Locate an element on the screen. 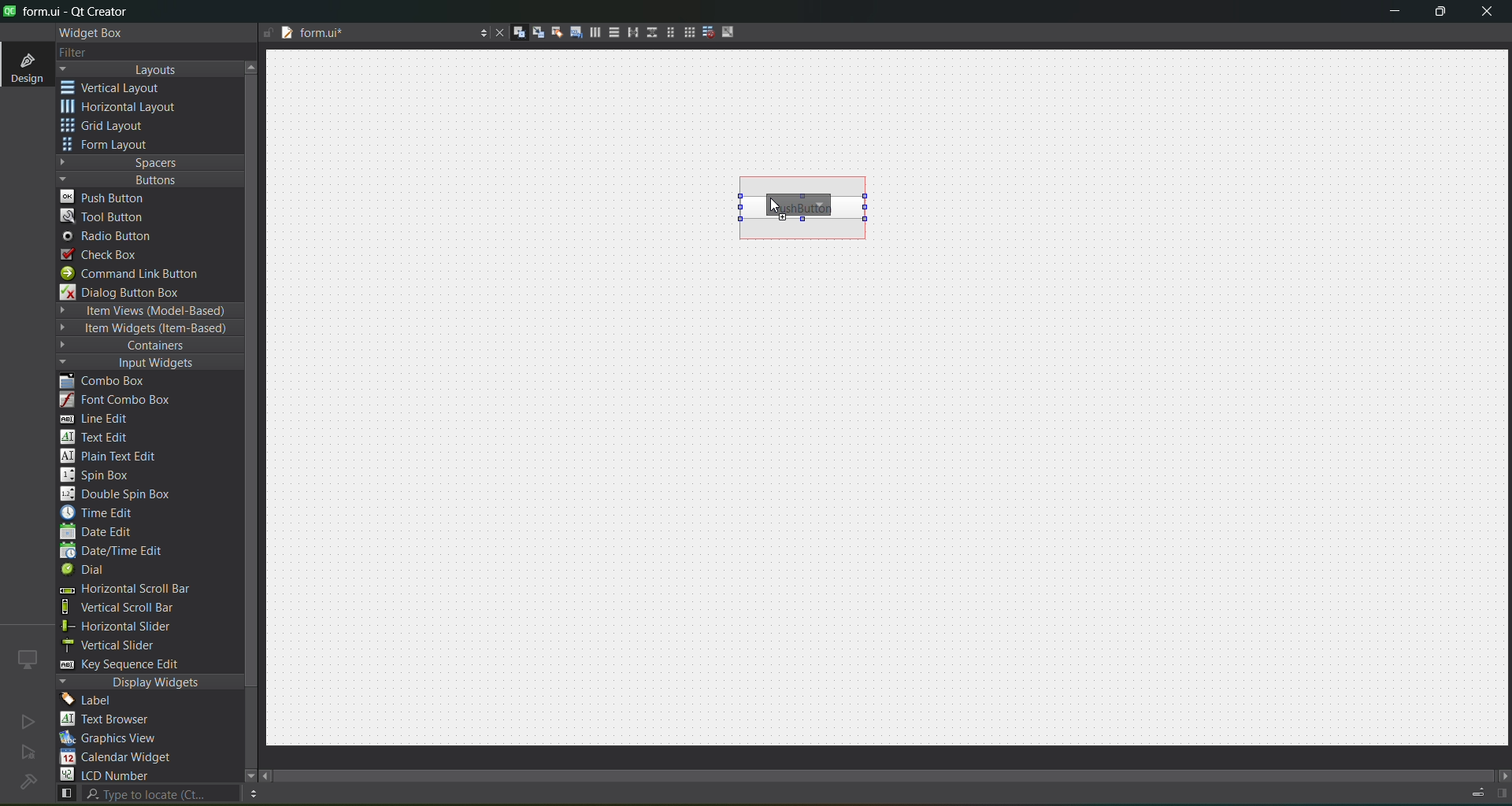 This screenshot has height=806, width=1512. maximize is located at coordinates (1441, 14).